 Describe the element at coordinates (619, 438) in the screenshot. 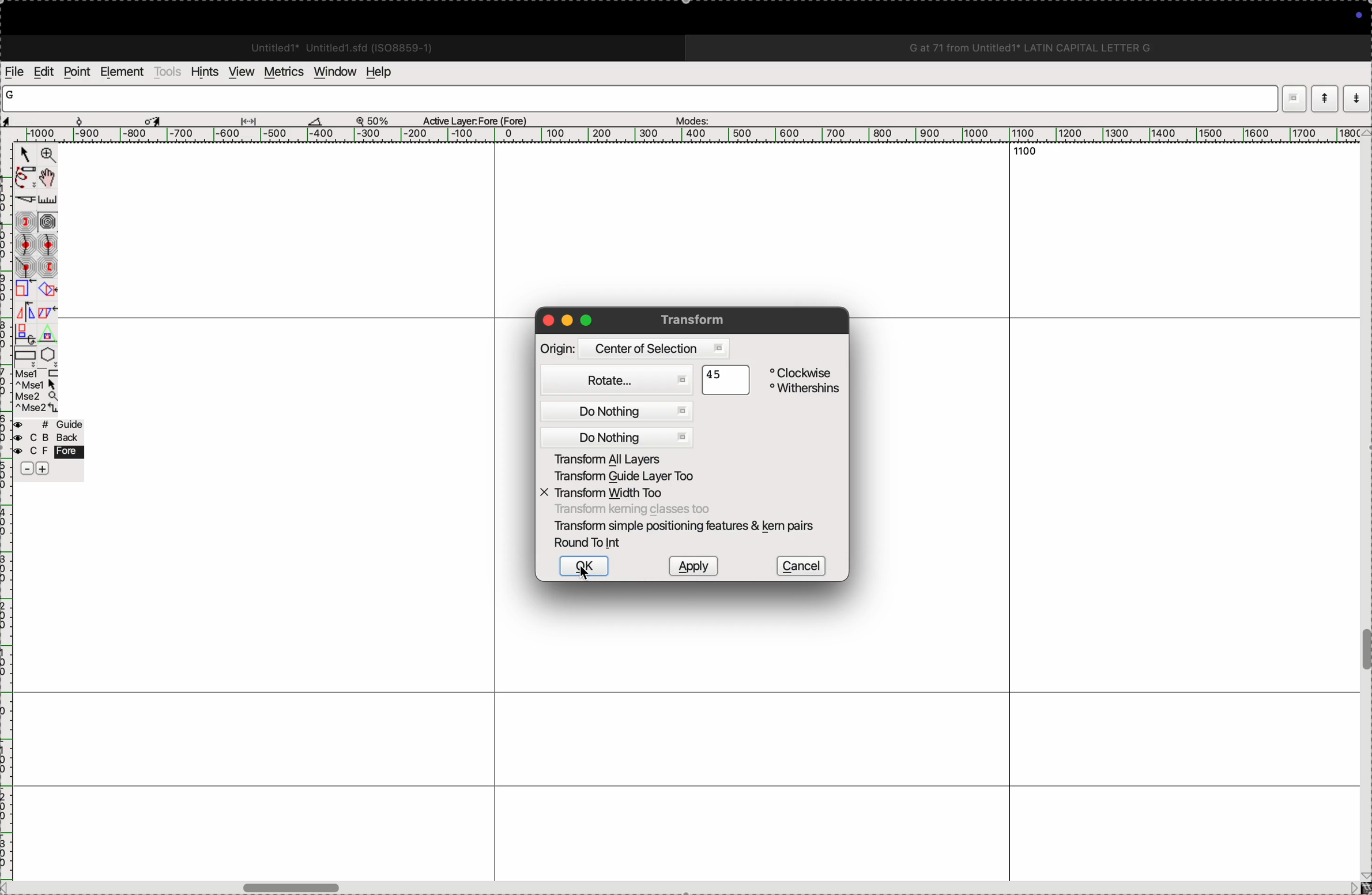

I see `do nothing` at that location.